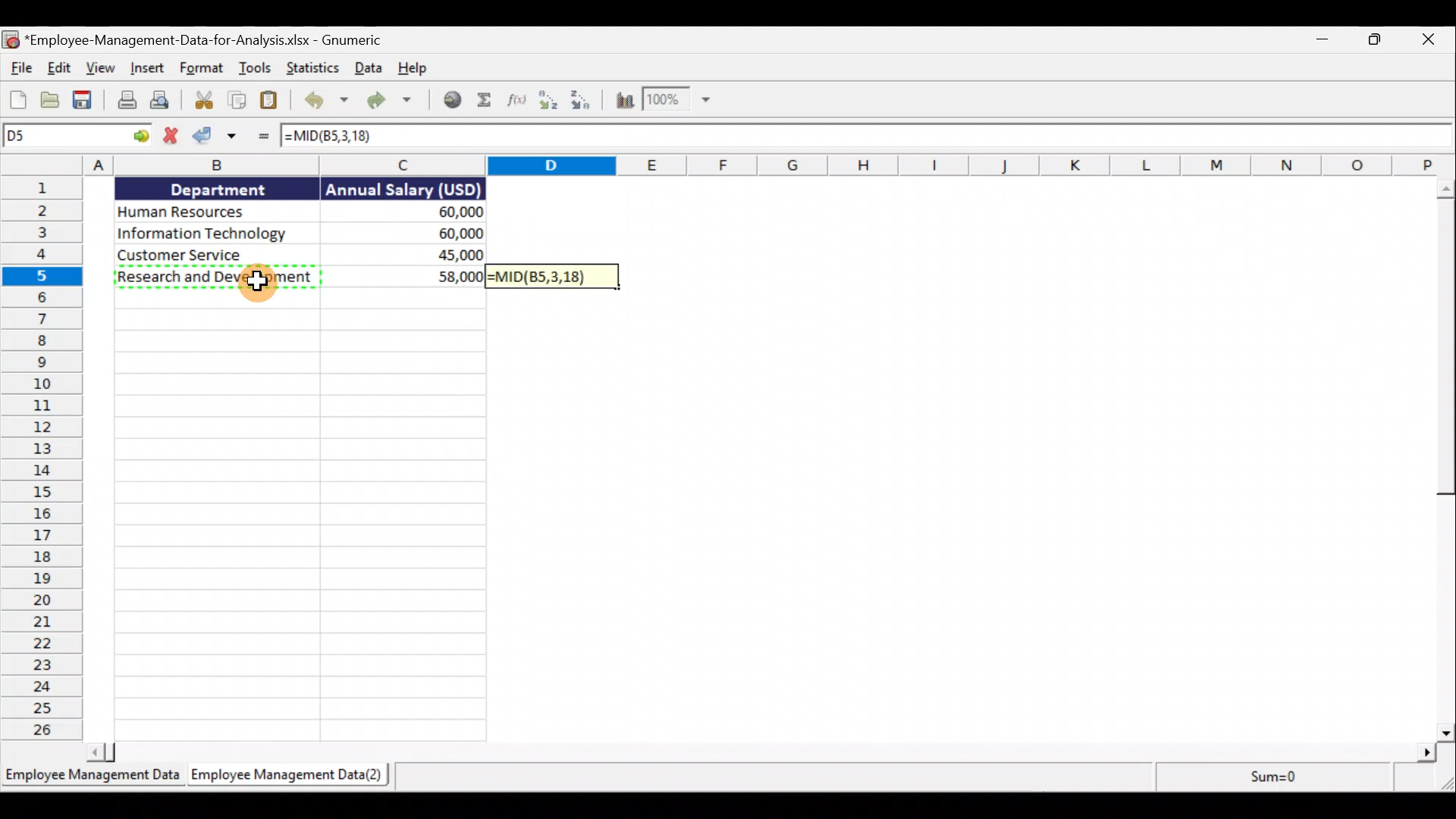 The width and height of the screenshot is (1456, 819). I want to click on Data, so click(306, 232).